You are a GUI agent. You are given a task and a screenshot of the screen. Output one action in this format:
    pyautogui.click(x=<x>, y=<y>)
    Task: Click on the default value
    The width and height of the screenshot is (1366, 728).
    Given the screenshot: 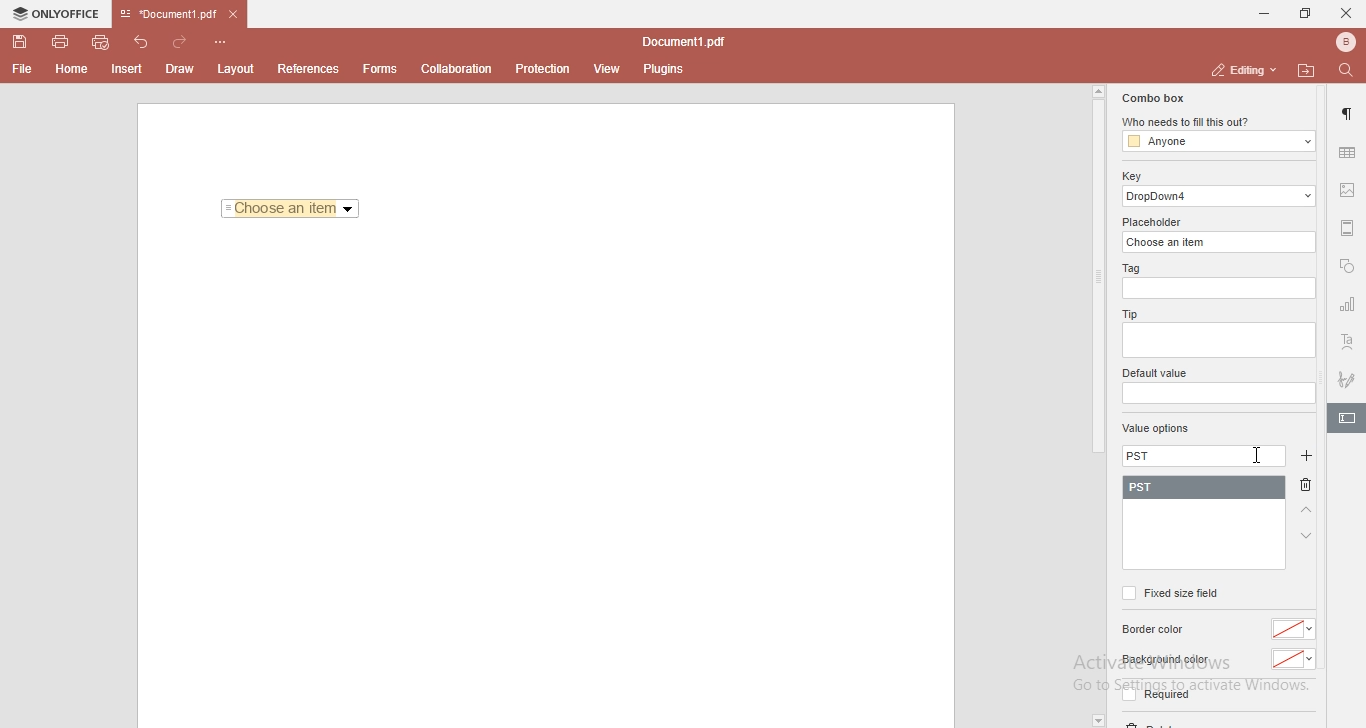 What is the action you would take?
    pyautogui.click(x=1157, y=374)
    